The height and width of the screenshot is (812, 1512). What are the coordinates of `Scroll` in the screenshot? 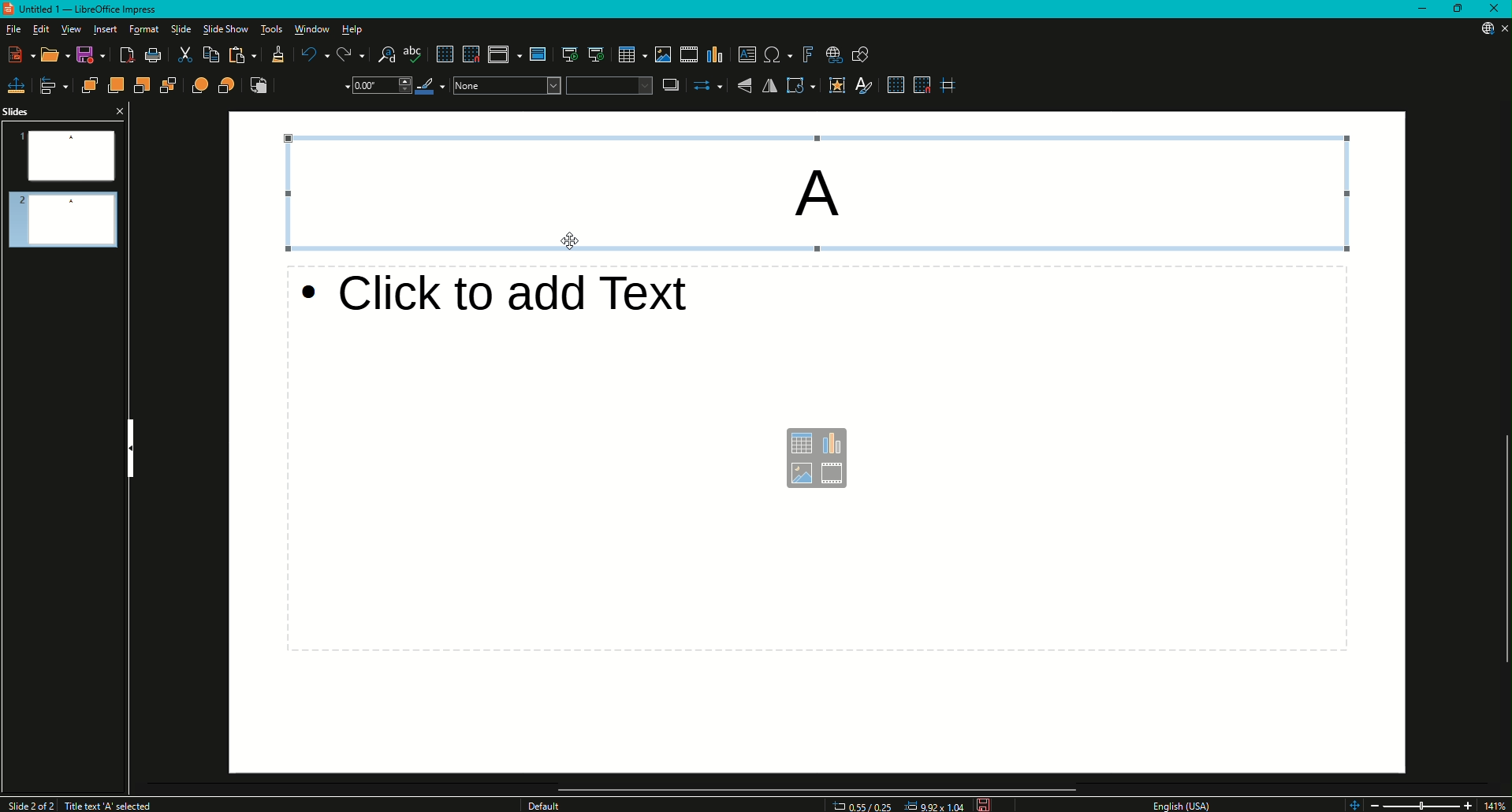 It's located at (814, 786).